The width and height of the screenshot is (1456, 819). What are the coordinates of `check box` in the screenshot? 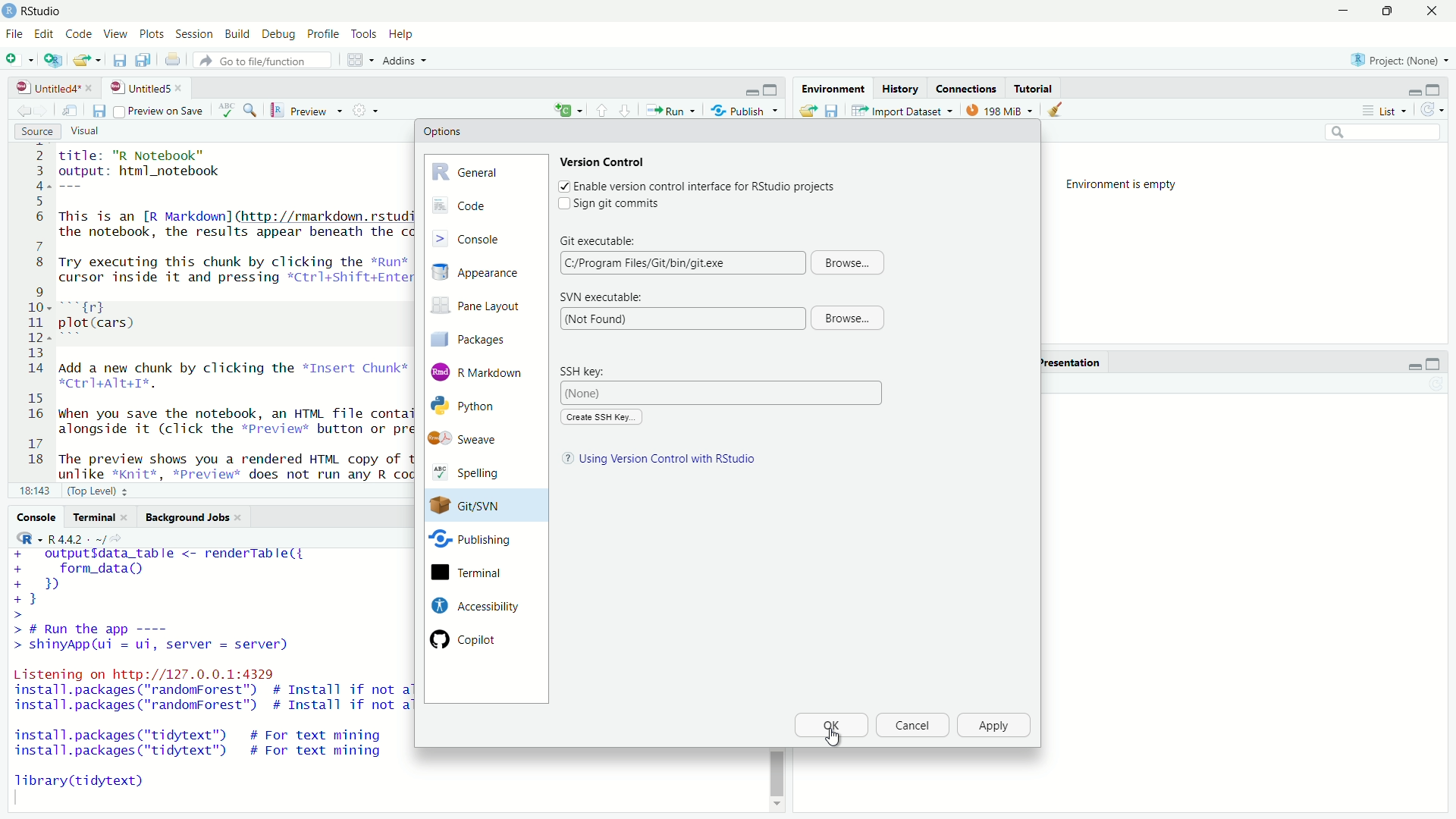 It's located at (560, 204).